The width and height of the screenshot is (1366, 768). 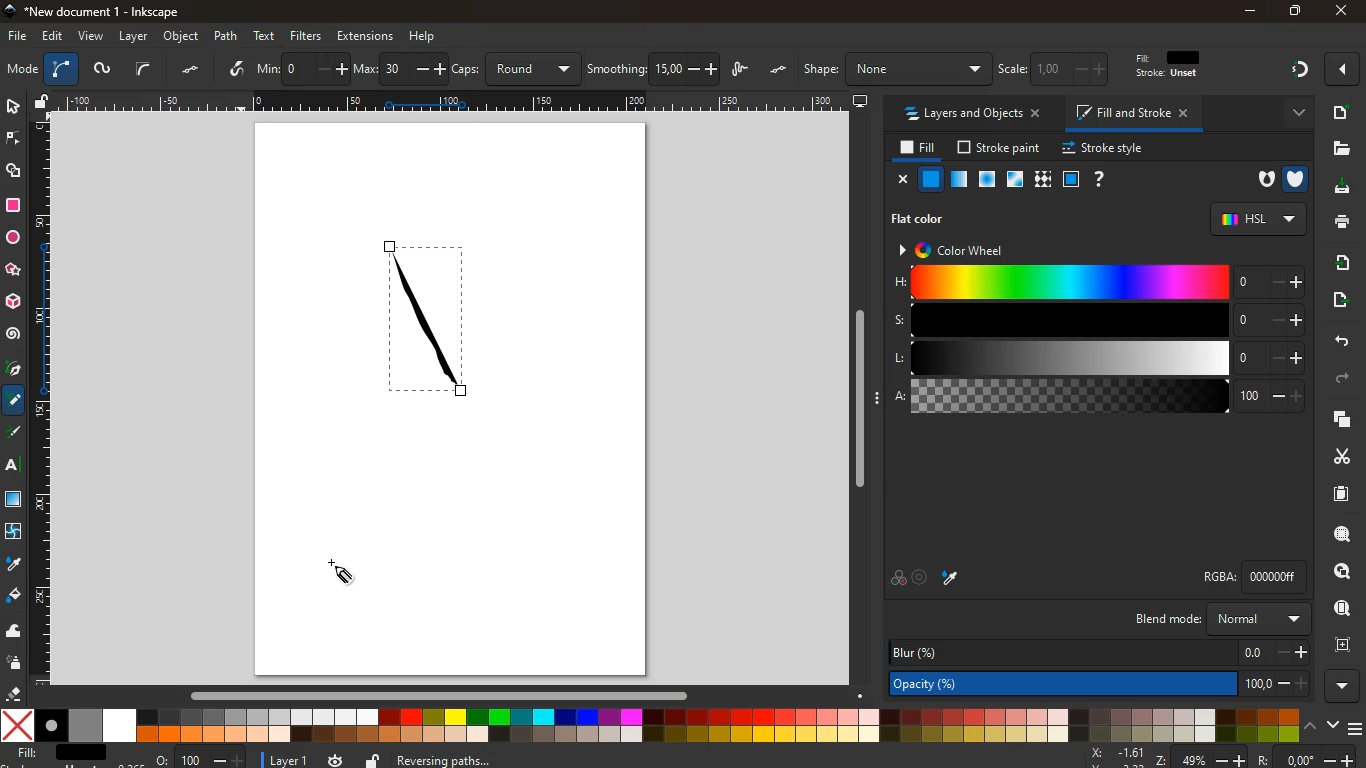 What do you see at coordinates (61, 70) in the screenshot?
I see `curve` at bounding box center [61, 70].